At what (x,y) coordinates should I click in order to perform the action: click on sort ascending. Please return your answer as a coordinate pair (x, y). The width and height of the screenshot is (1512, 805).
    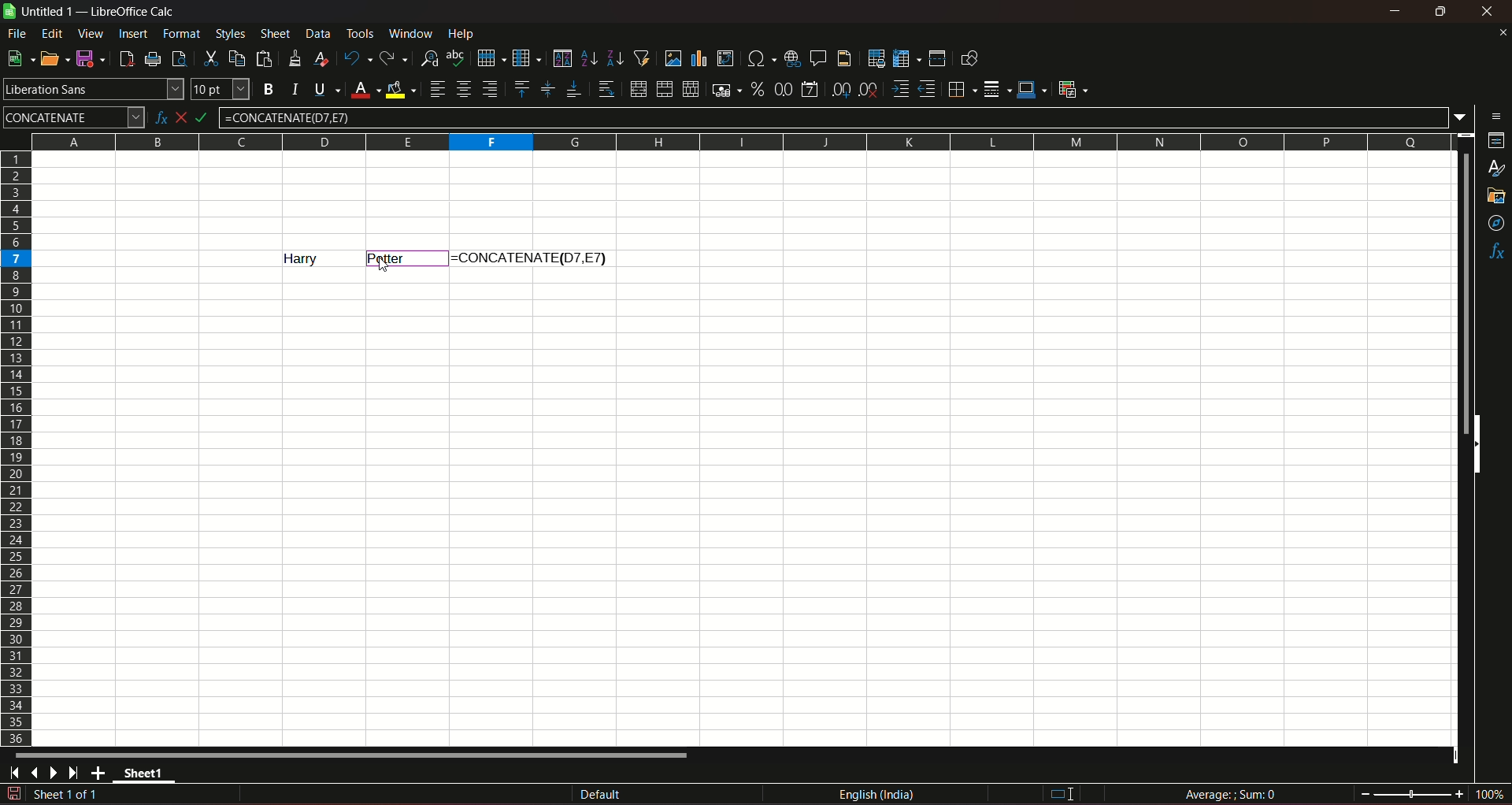
    Looking at the image, I should click on (590, 57).